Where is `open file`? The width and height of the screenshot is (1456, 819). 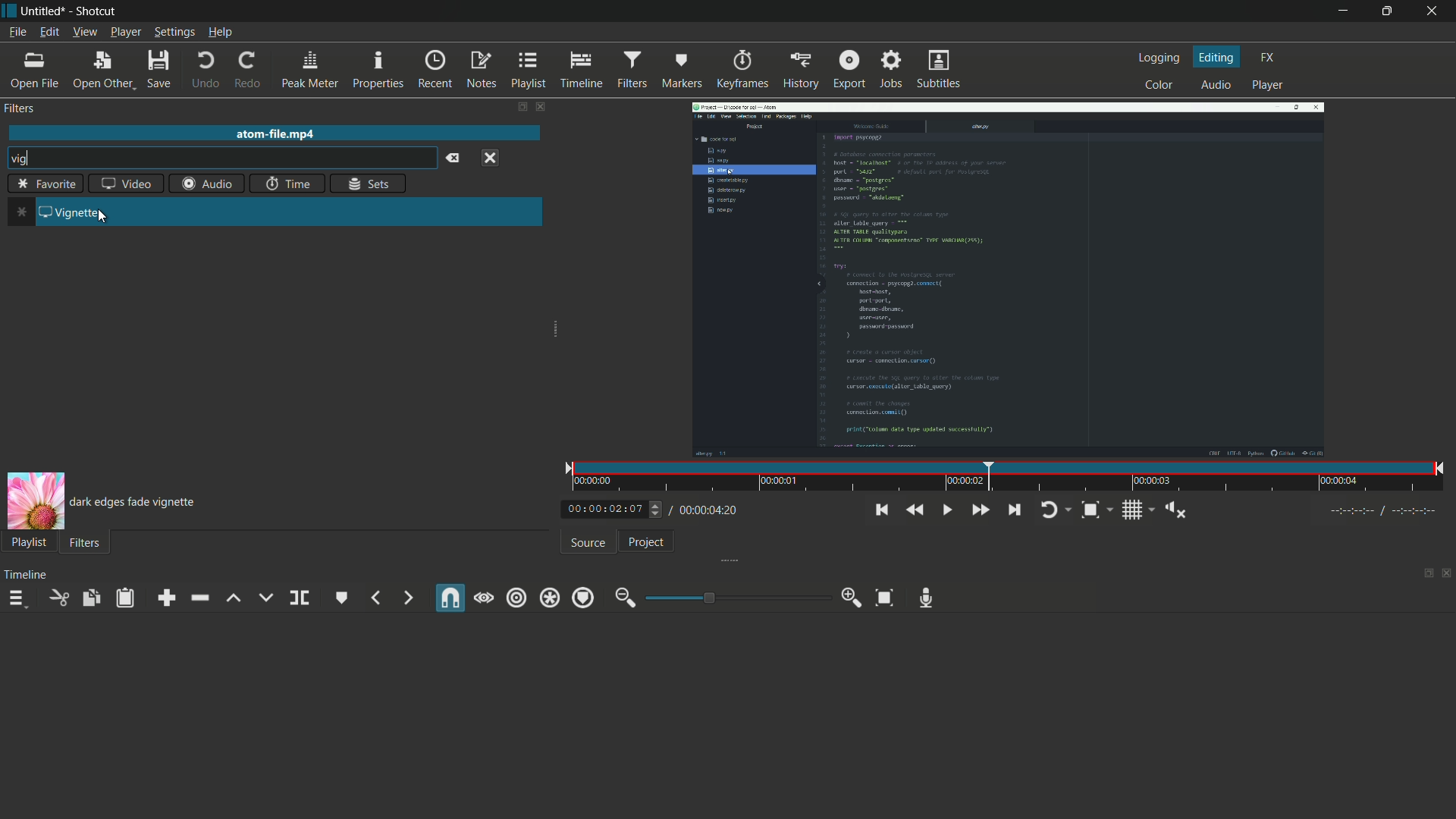
open file is located at coordinates (33, 71).